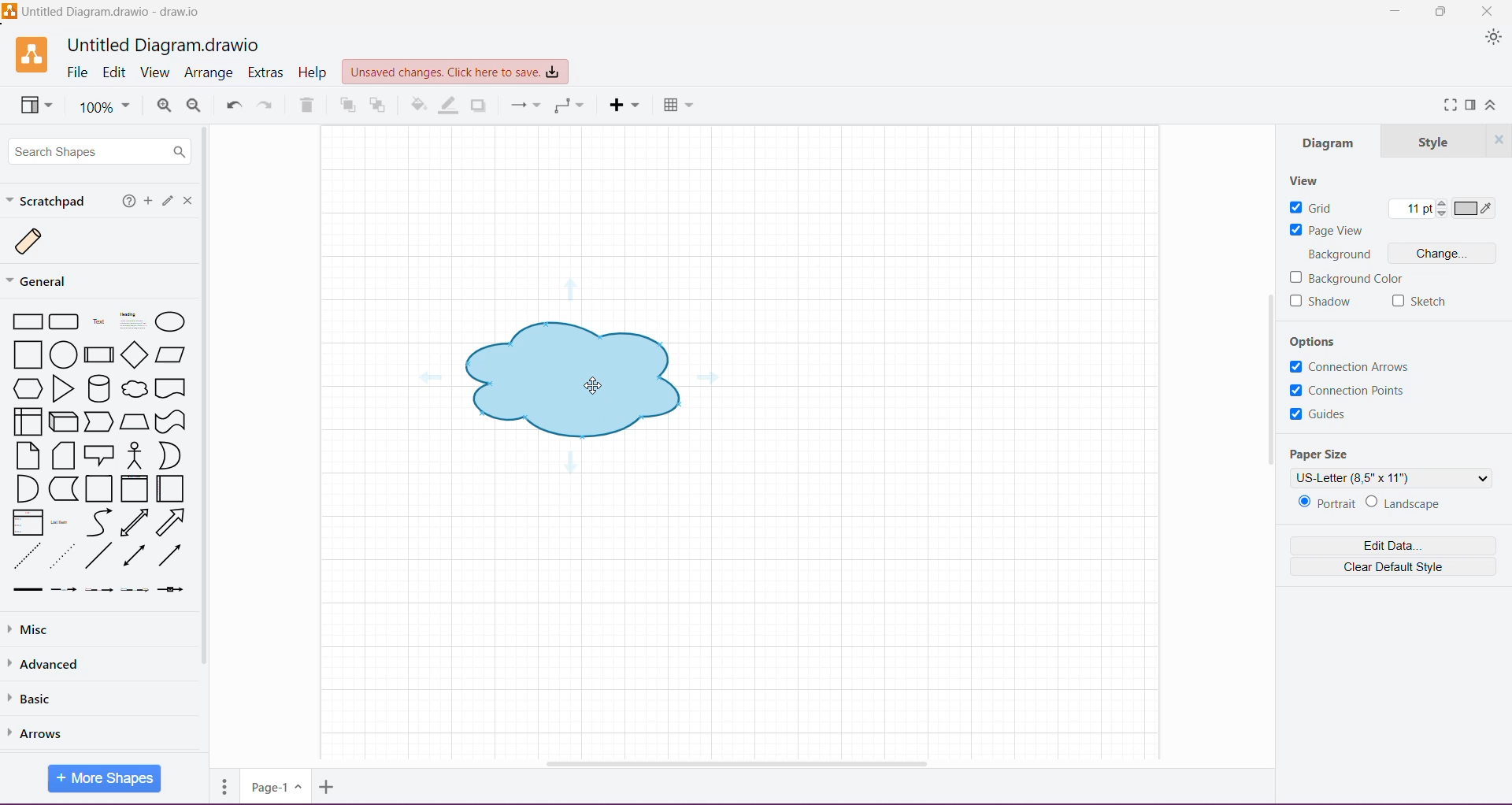 This screenshot has height=805, width=1512. I want to click on Waypoint, so click(569, 106).